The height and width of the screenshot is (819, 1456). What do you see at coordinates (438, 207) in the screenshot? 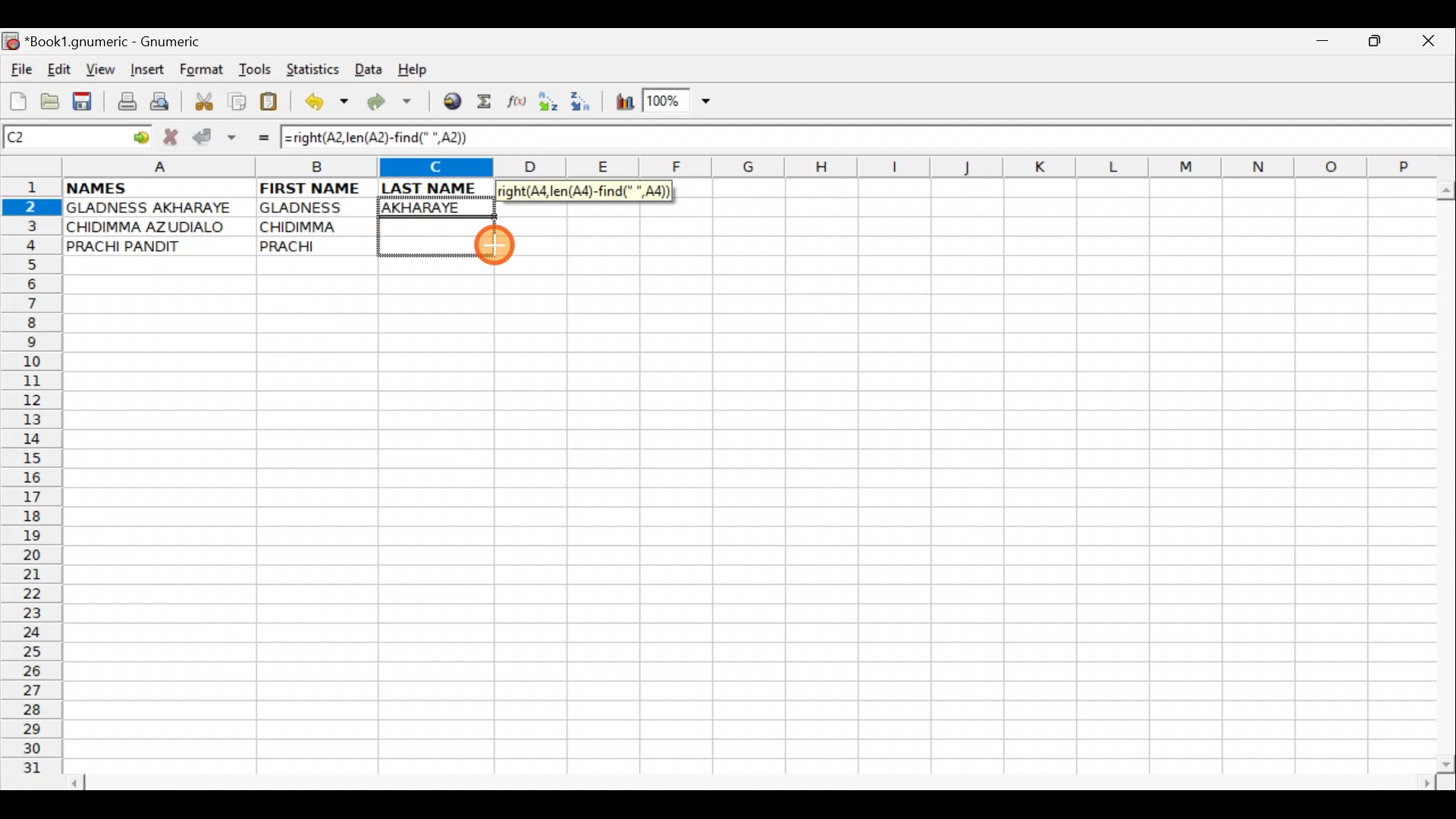
I see `AKHARAYE` at bounding box center [438, 207].